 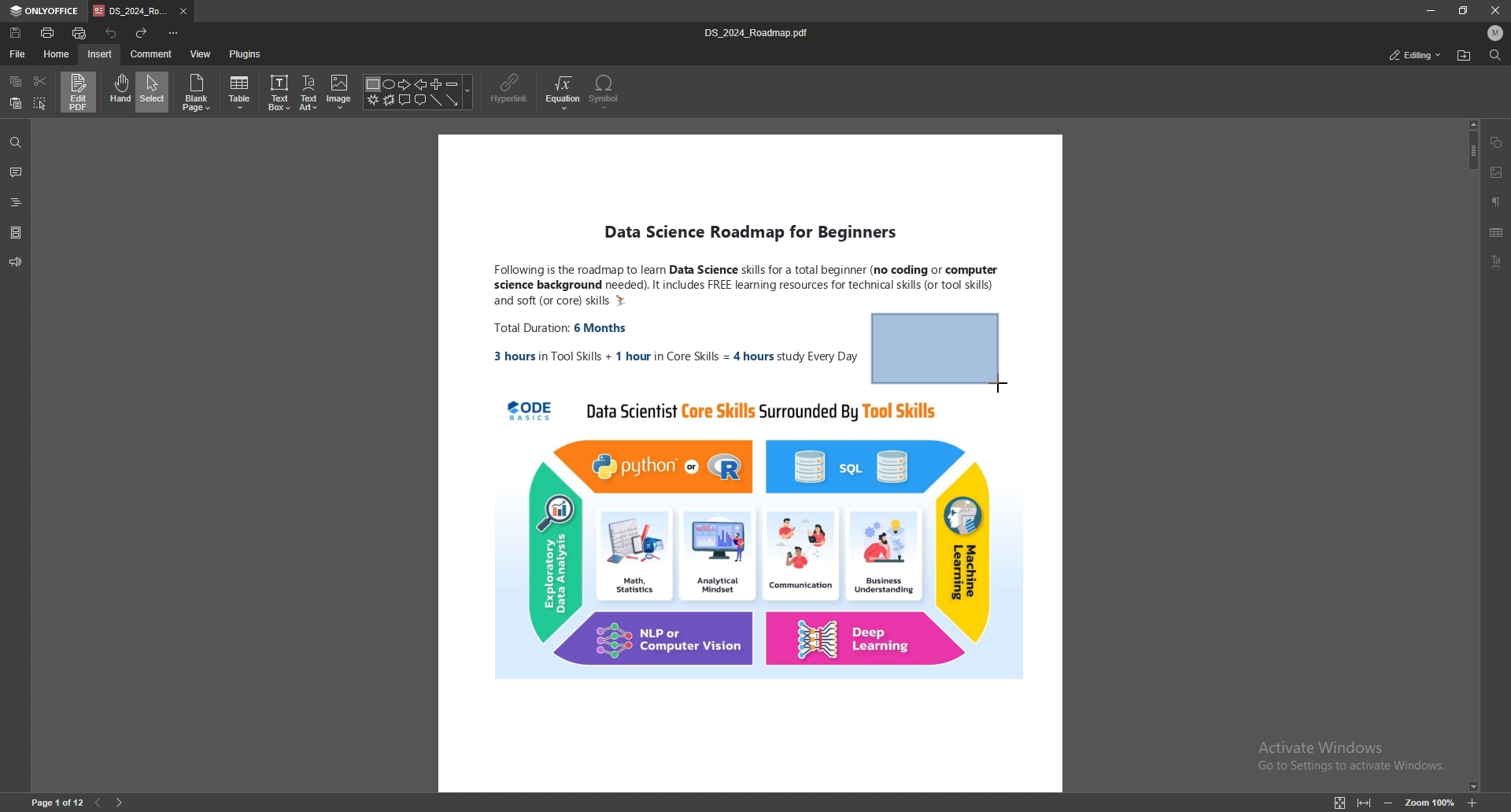 I want to click on plugins, so click(x=245, y=54).